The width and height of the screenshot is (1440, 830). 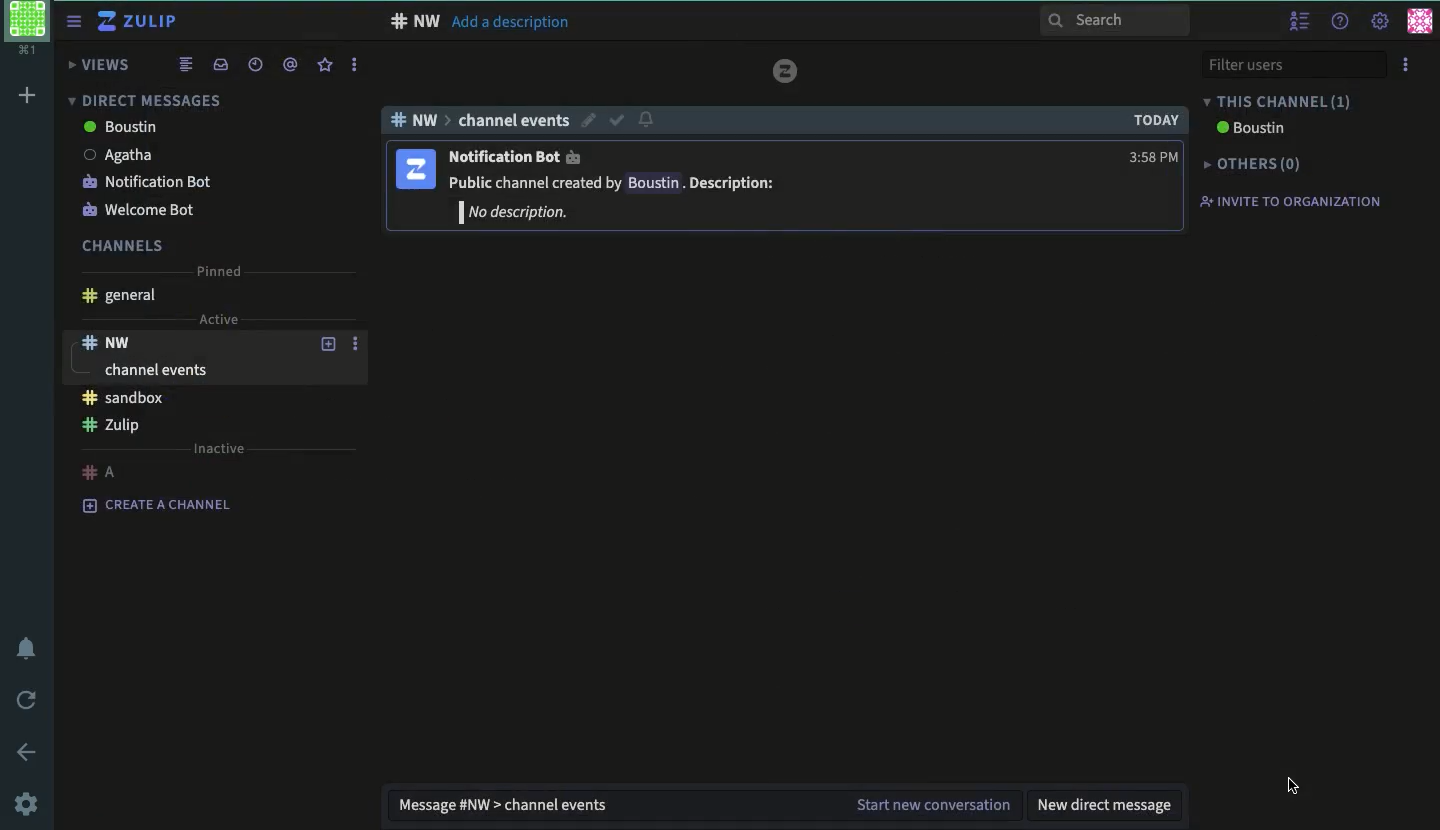 I want to click on sidebar, so click(x=75, y=23).